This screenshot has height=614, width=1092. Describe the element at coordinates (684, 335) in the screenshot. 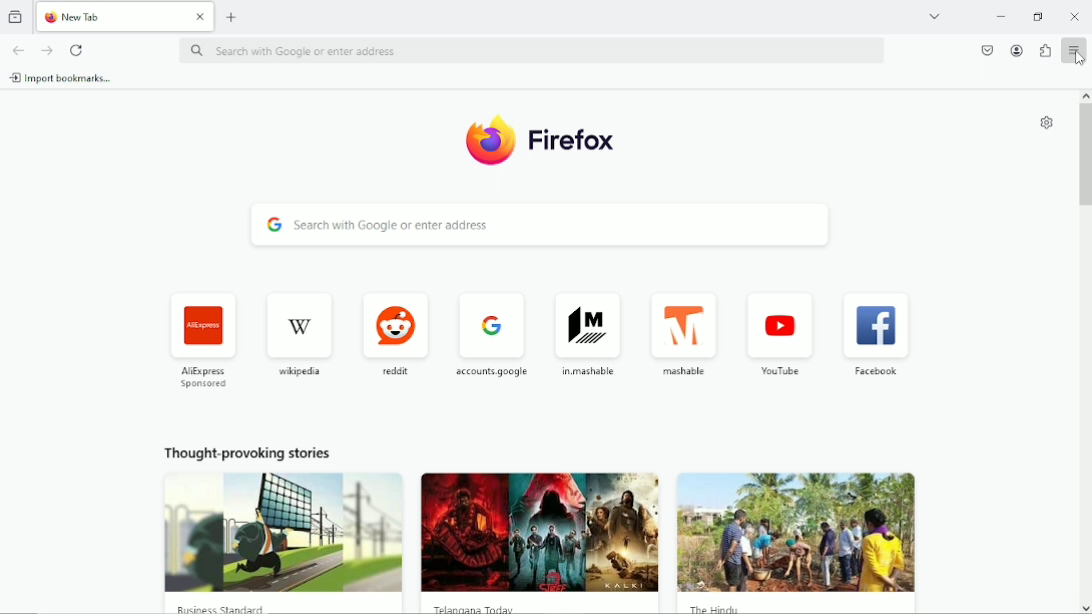

I see `mashable` at that location.